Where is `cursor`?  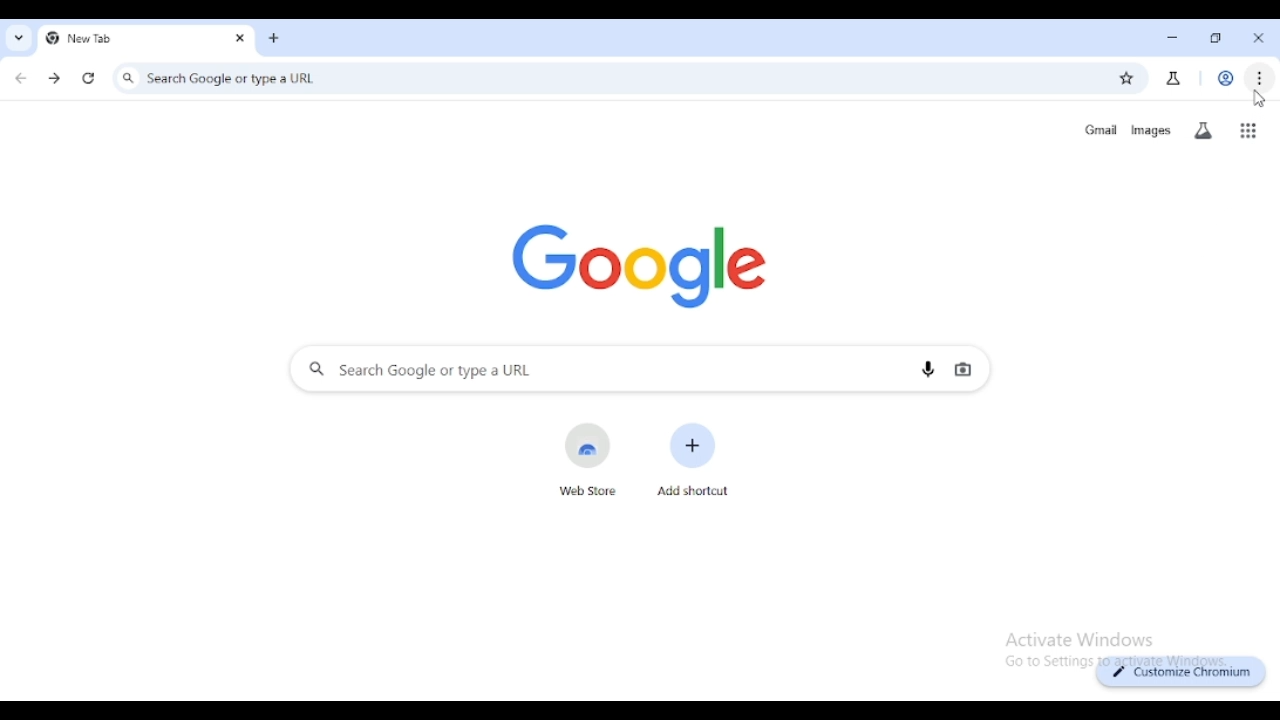 cursor is located at coordinates (1258, 98).